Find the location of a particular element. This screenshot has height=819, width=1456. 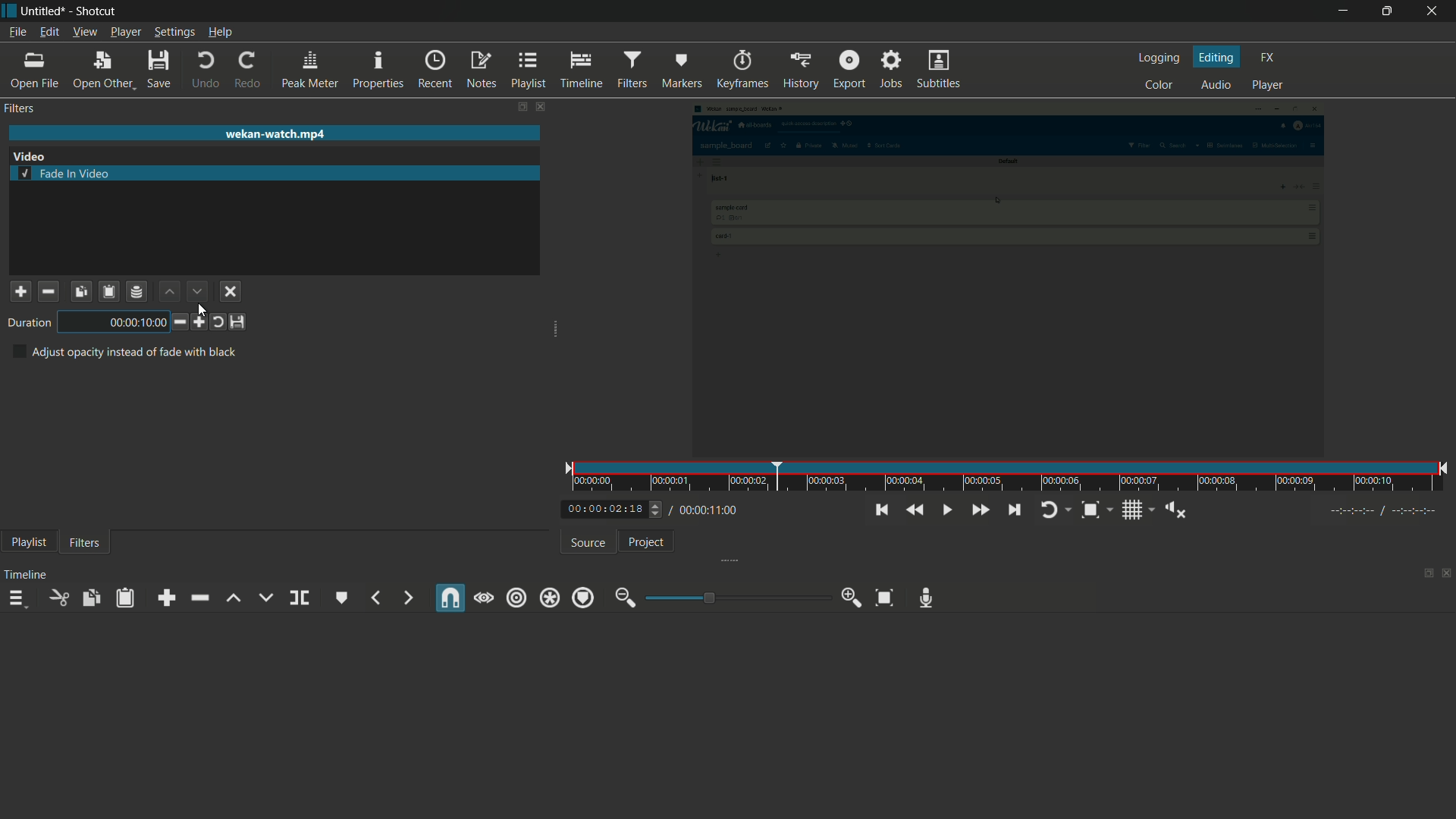

project is located at coordinates (648, 541).